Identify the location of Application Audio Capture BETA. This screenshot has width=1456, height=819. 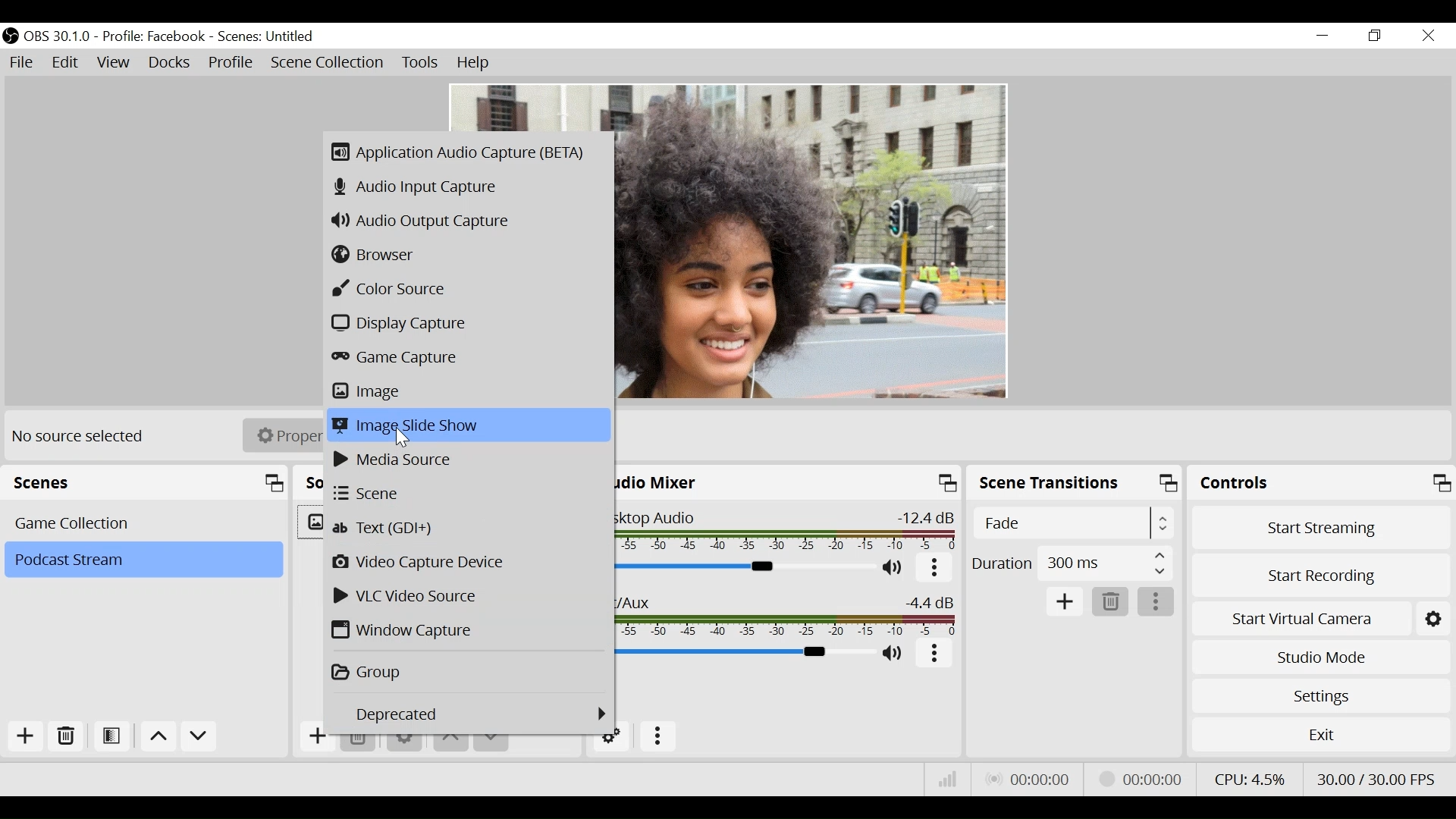
(463, 153).